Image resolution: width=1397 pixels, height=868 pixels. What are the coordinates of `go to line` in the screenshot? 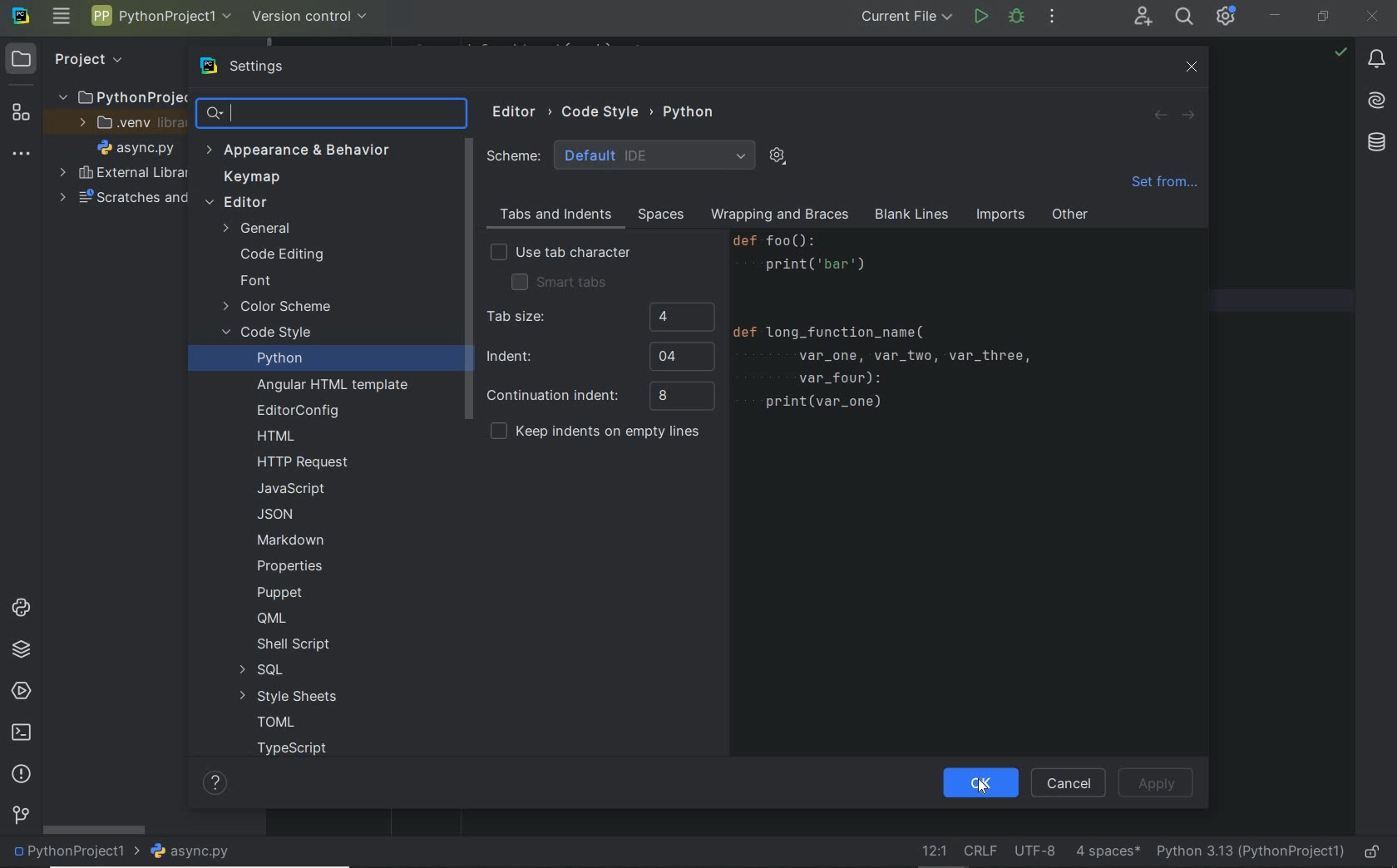 It's located at (935, 850).